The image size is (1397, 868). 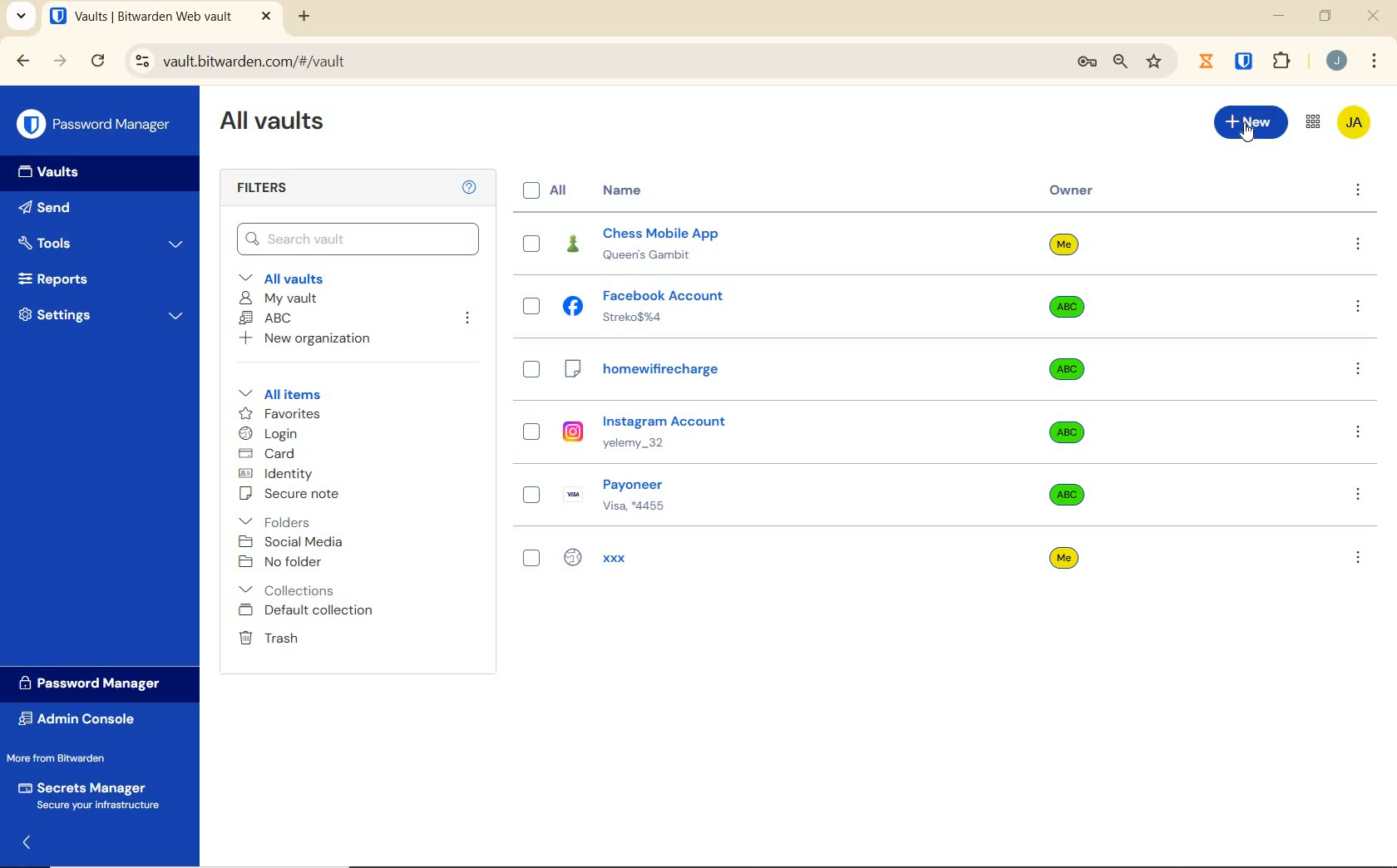 I want to click on Secrets Manager, so click(x=93, y=796).